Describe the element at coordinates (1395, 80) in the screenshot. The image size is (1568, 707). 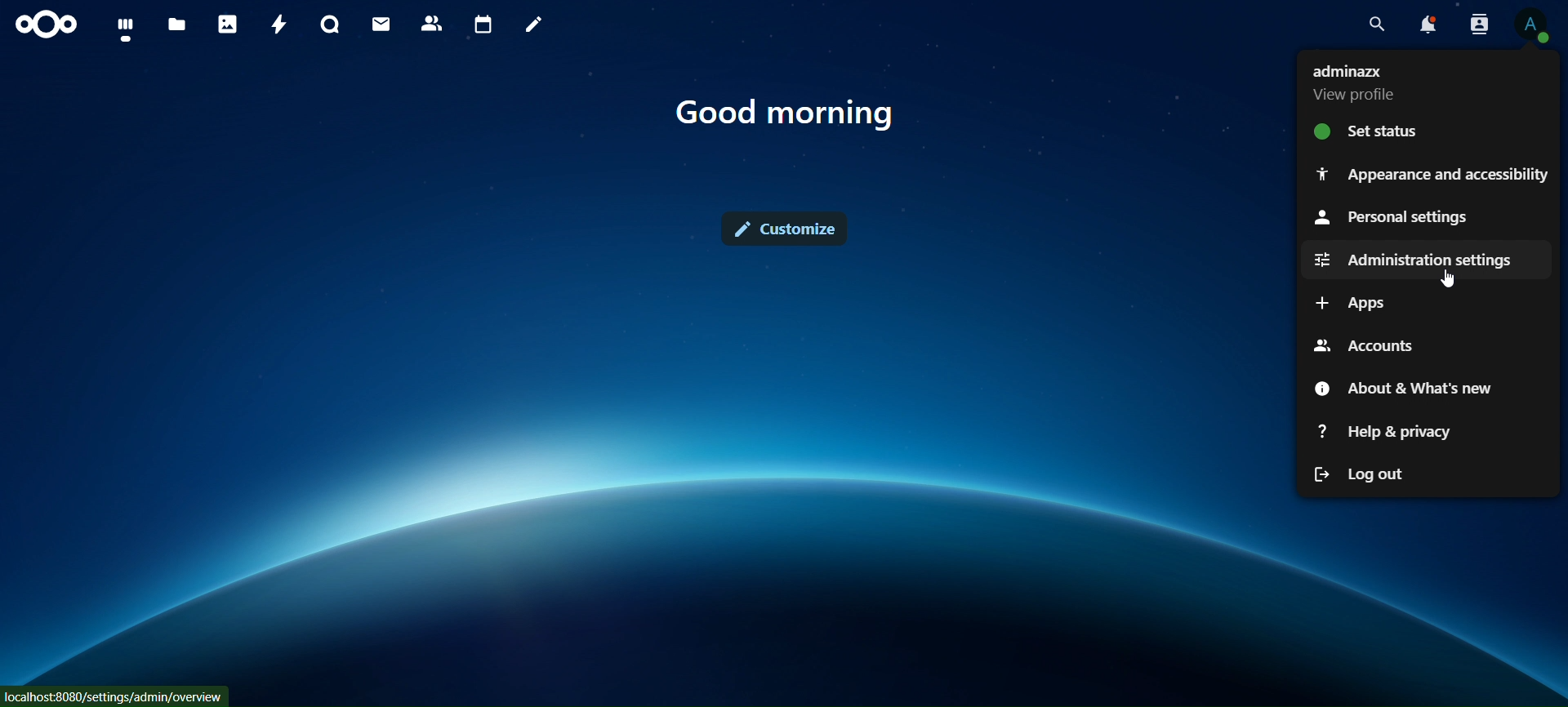
I see `view profile` at that location.